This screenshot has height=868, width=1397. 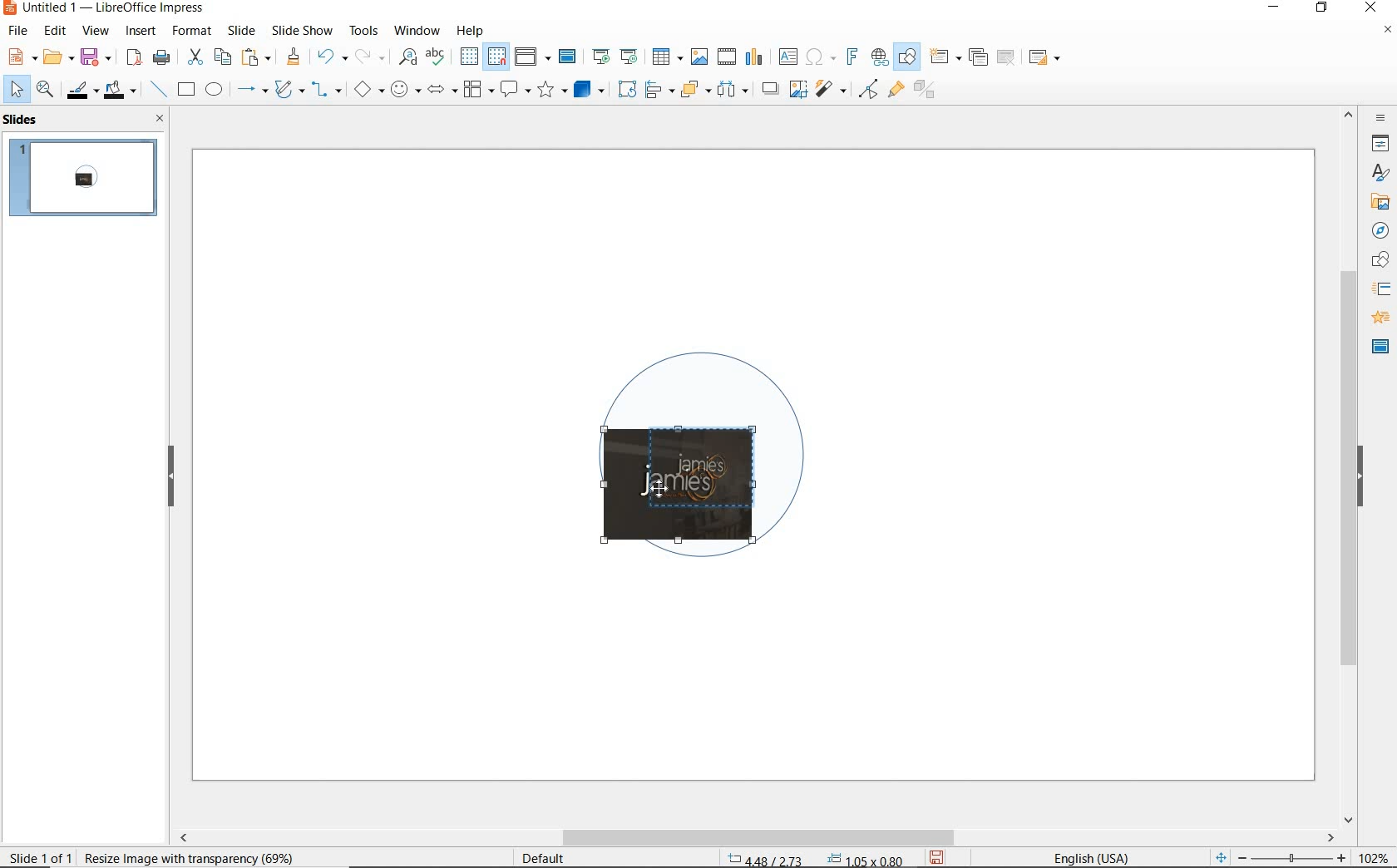 What do you see at coordinates (817, 55) in the screenshot?
I see `insert special characters` at bounding box center [817, 55].